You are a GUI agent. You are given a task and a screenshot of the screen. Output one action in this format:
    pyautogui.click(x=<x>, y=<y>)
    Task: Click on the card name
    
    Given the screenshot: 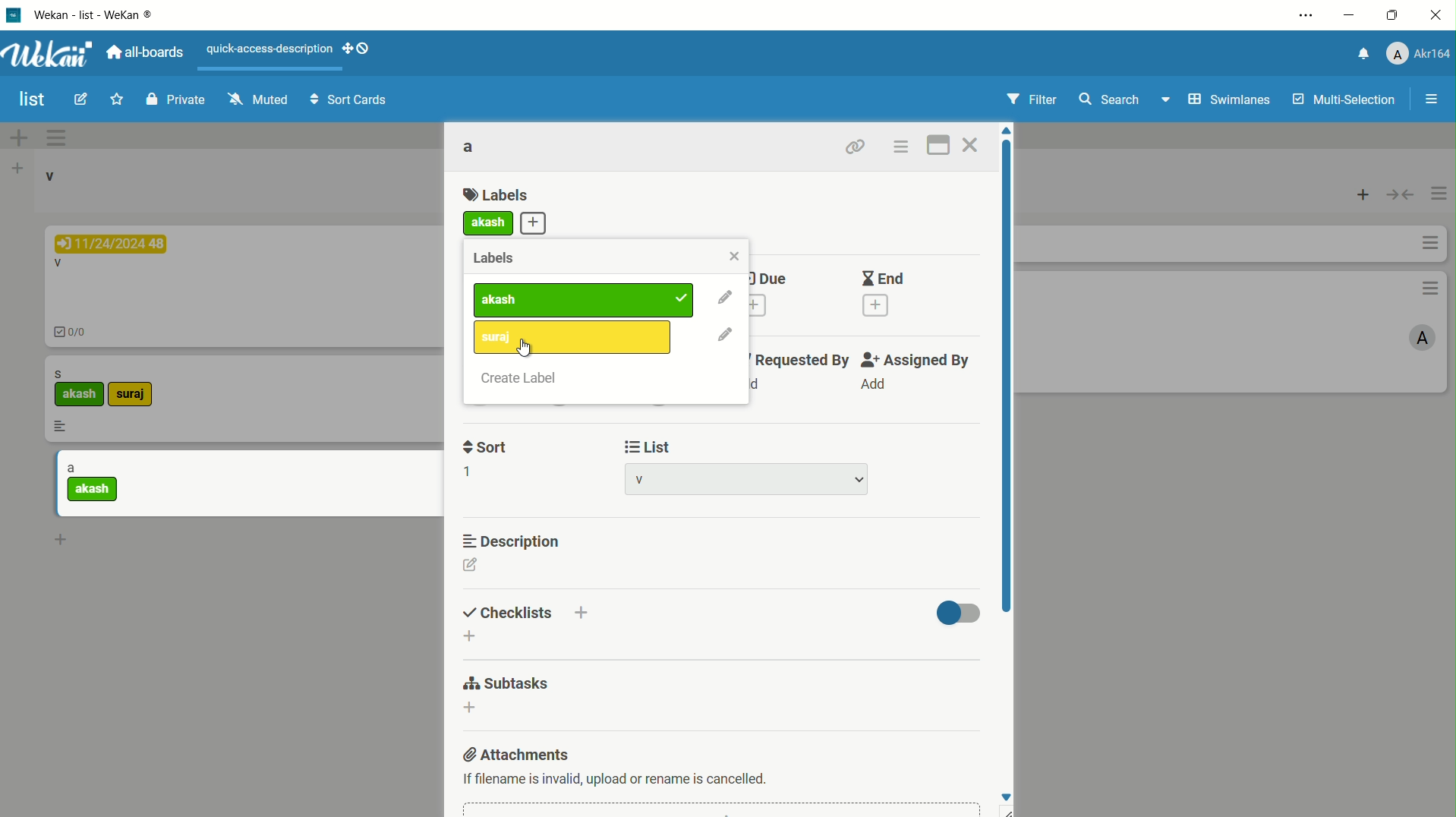 What is the action you would take?
    pyautogui.click(x=470, y=148)
    